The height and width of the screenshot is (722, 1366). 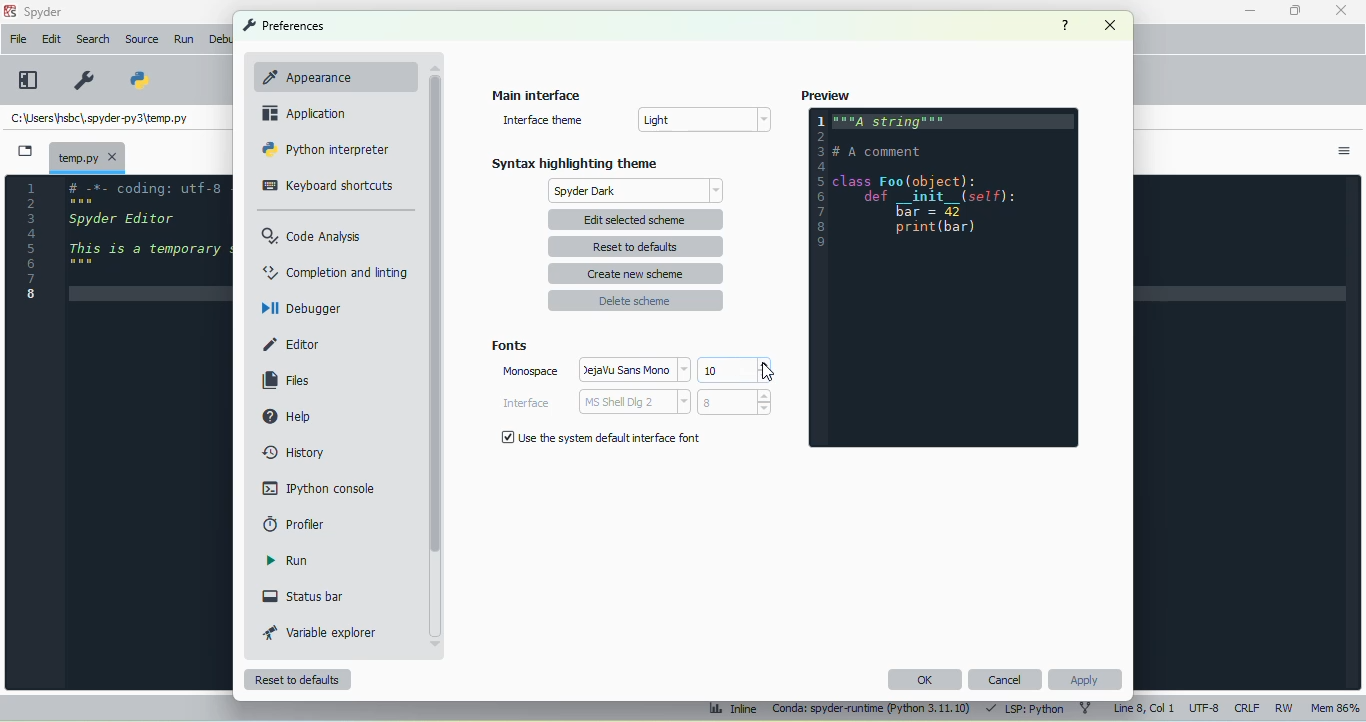 What do you see at coordinates (943, 277) in the screenshot?
I see `preview box` at bounding box center [943, 277].